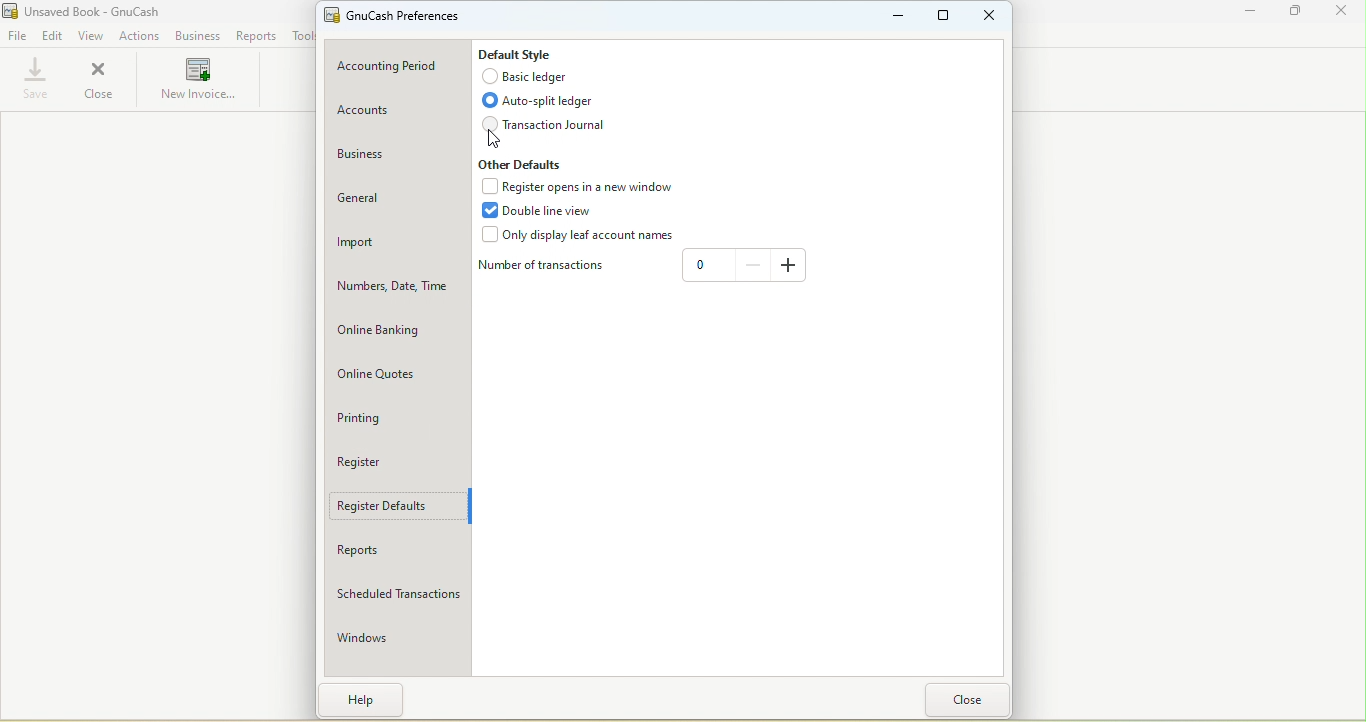  Describe the element at coordinates (31, 80) in the screenshot. I see `Save` at that location.